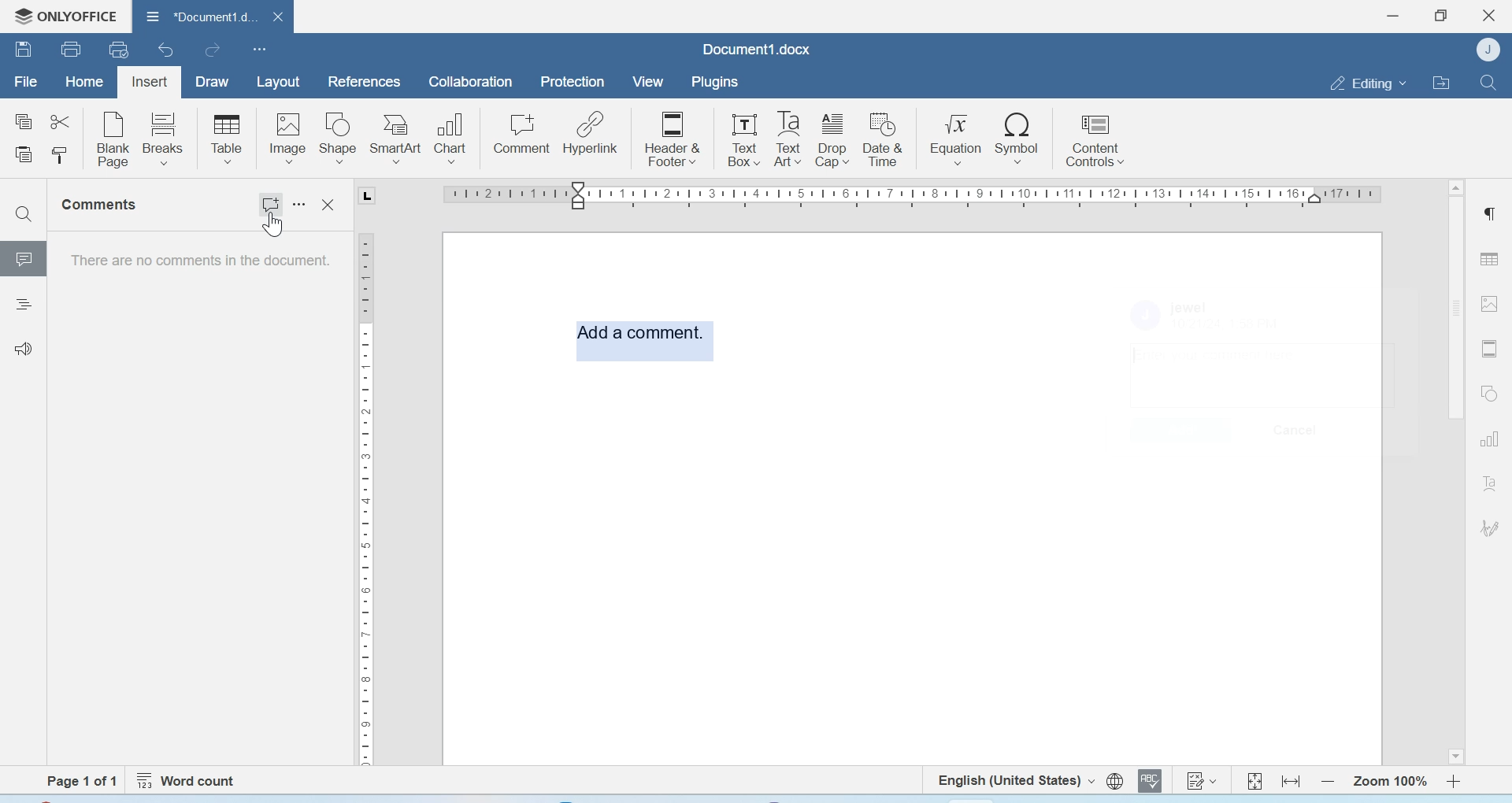 The image size is (1512, 803). What do you see at coordinates (1455, 470) in the screenshot?
I see `Scrollbar` at bounding box center [1455, 470].